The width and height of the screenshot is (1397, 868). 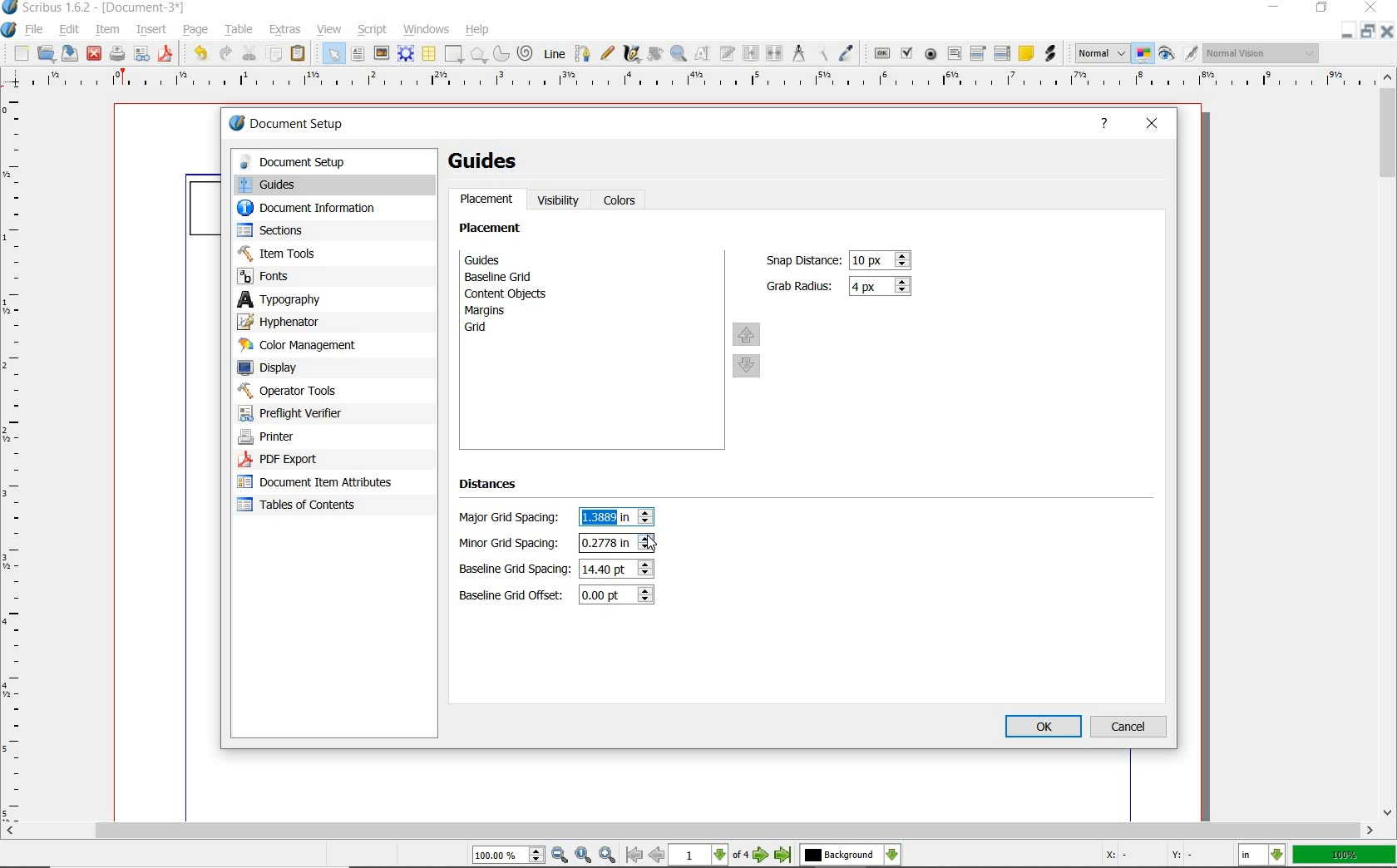 What do you see at coordinates (679, 55) in the screenshot?
I see `zoom in or zoom out` at bounding box center [679, 55].